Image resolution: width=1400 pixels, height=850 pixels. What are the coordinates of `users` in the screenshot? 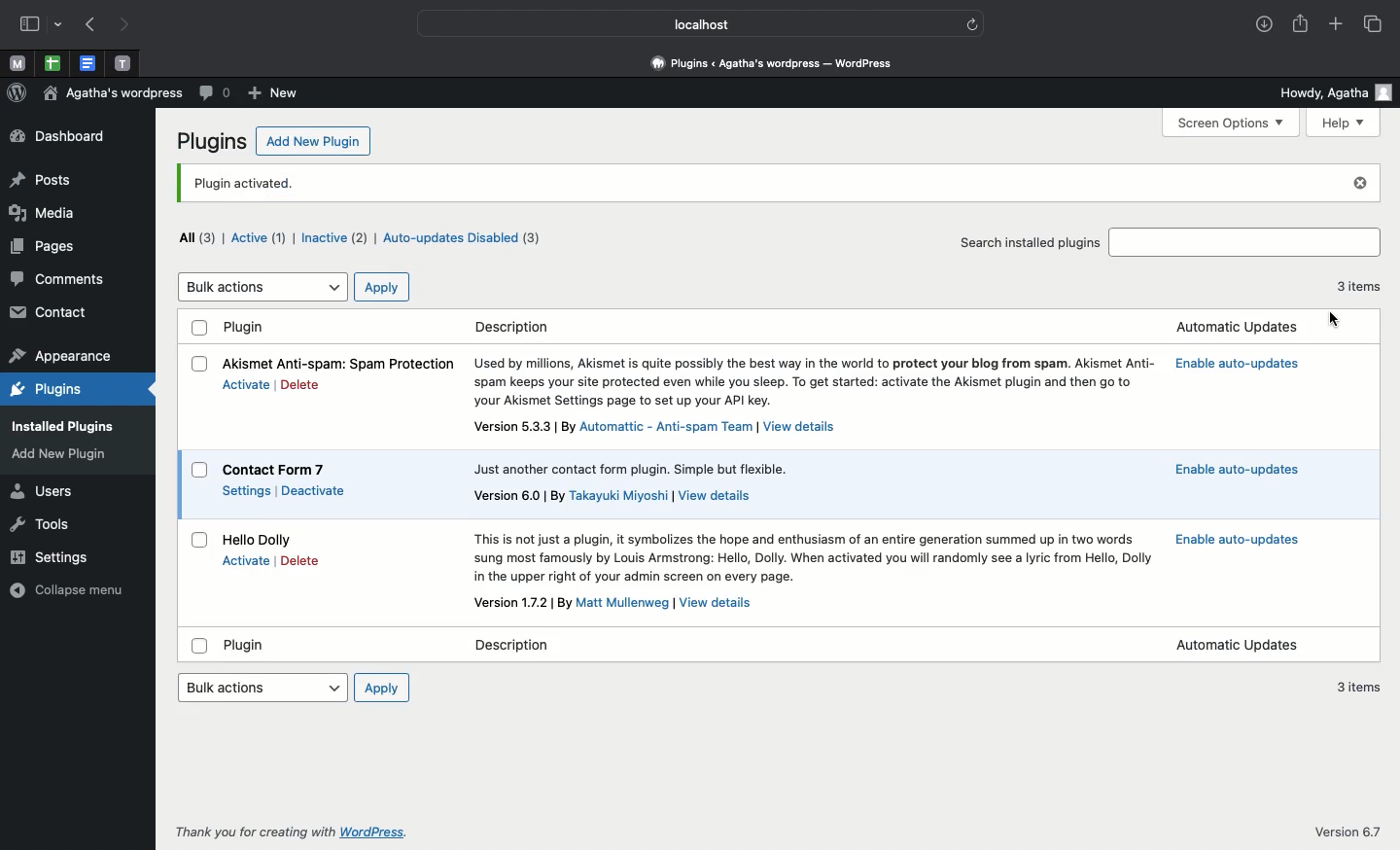 It's located at (40, 493).